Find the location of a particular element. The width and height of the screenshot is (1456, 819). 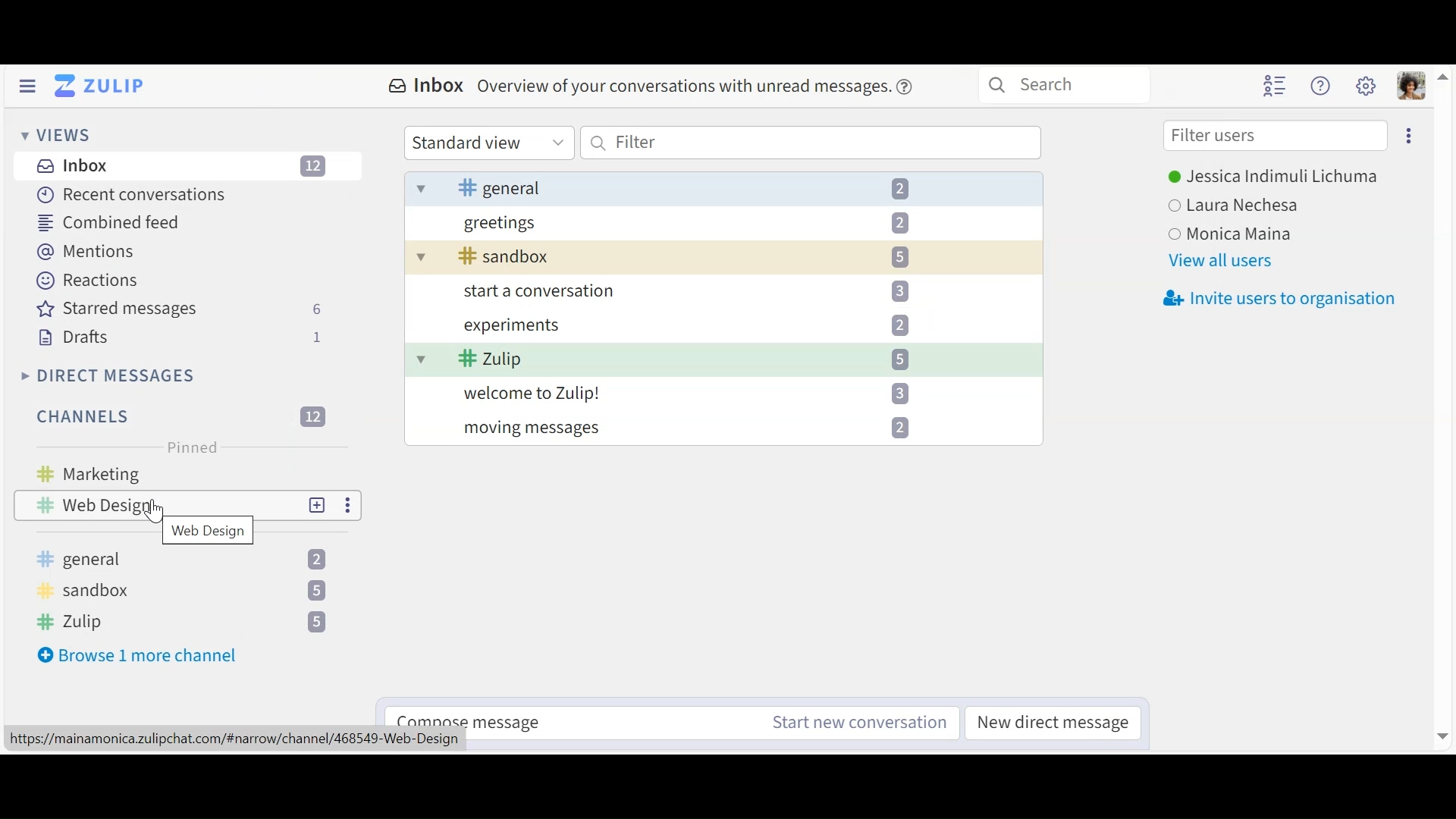

https://mainamonica.zulipchat.com/#narrow/channel/468549-Web-Design is located at coordinates (235, 739).